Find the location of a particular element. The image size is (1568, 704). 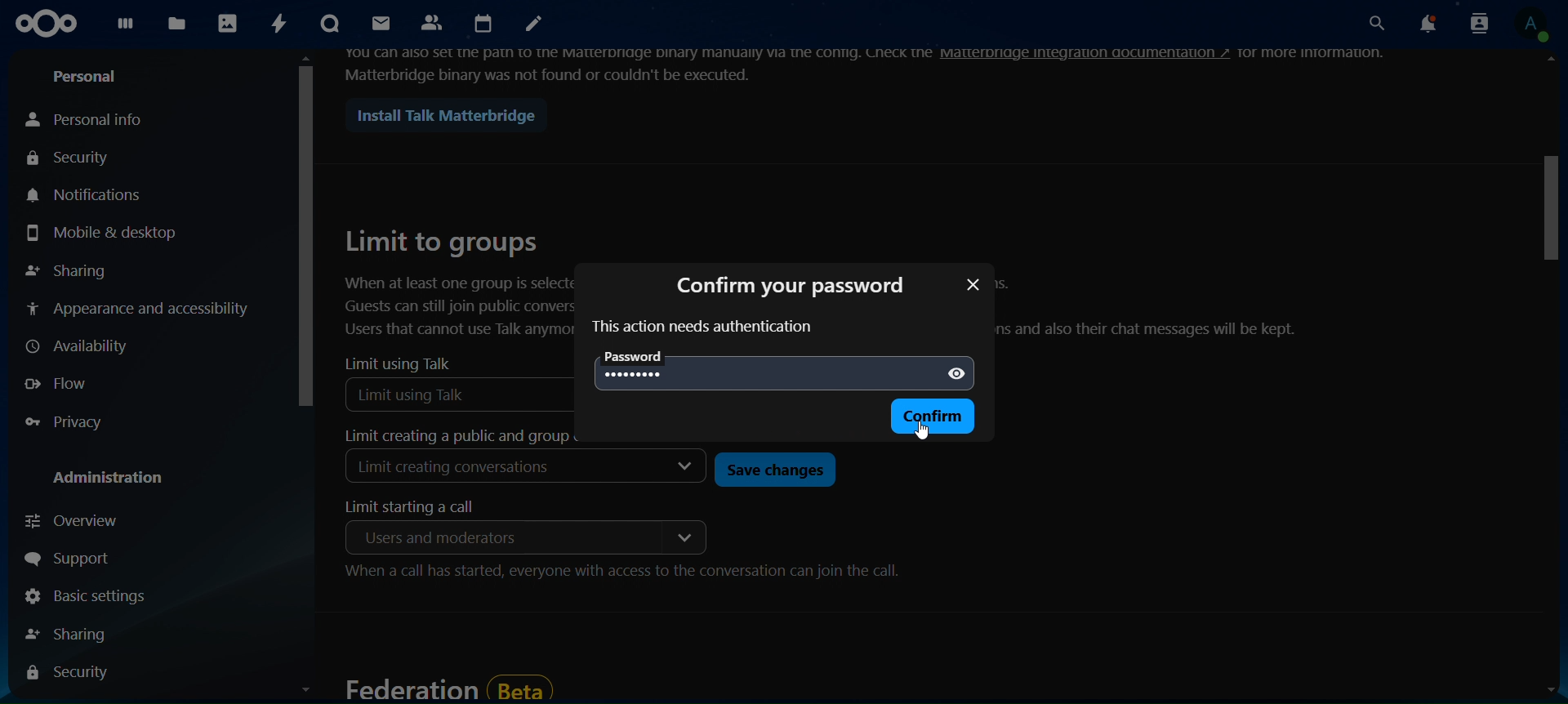

calendar is located at coordinates (486, 25).